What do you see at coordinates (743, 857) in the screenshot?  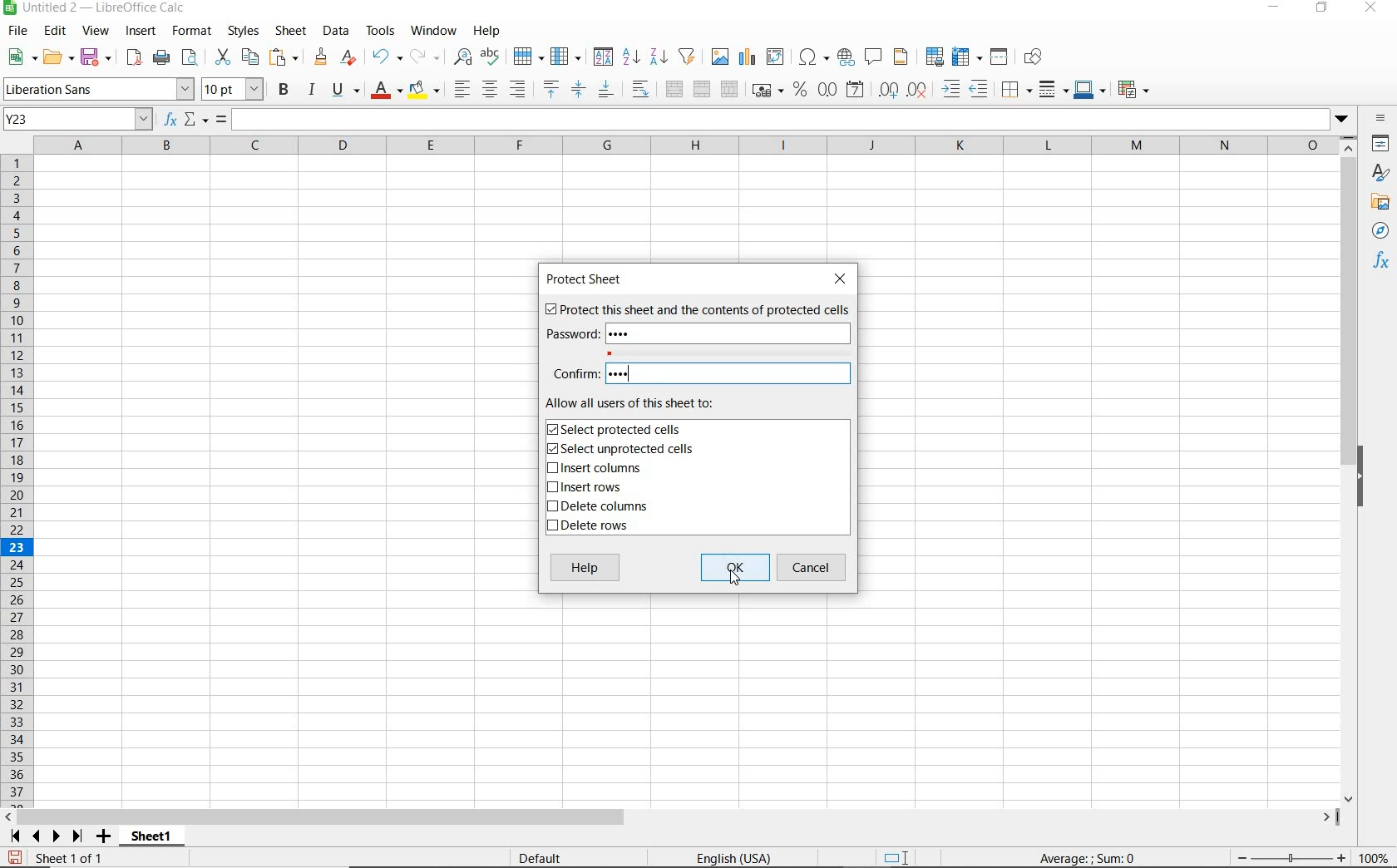 I see `english (USA)` at bounding box center [743, 857].